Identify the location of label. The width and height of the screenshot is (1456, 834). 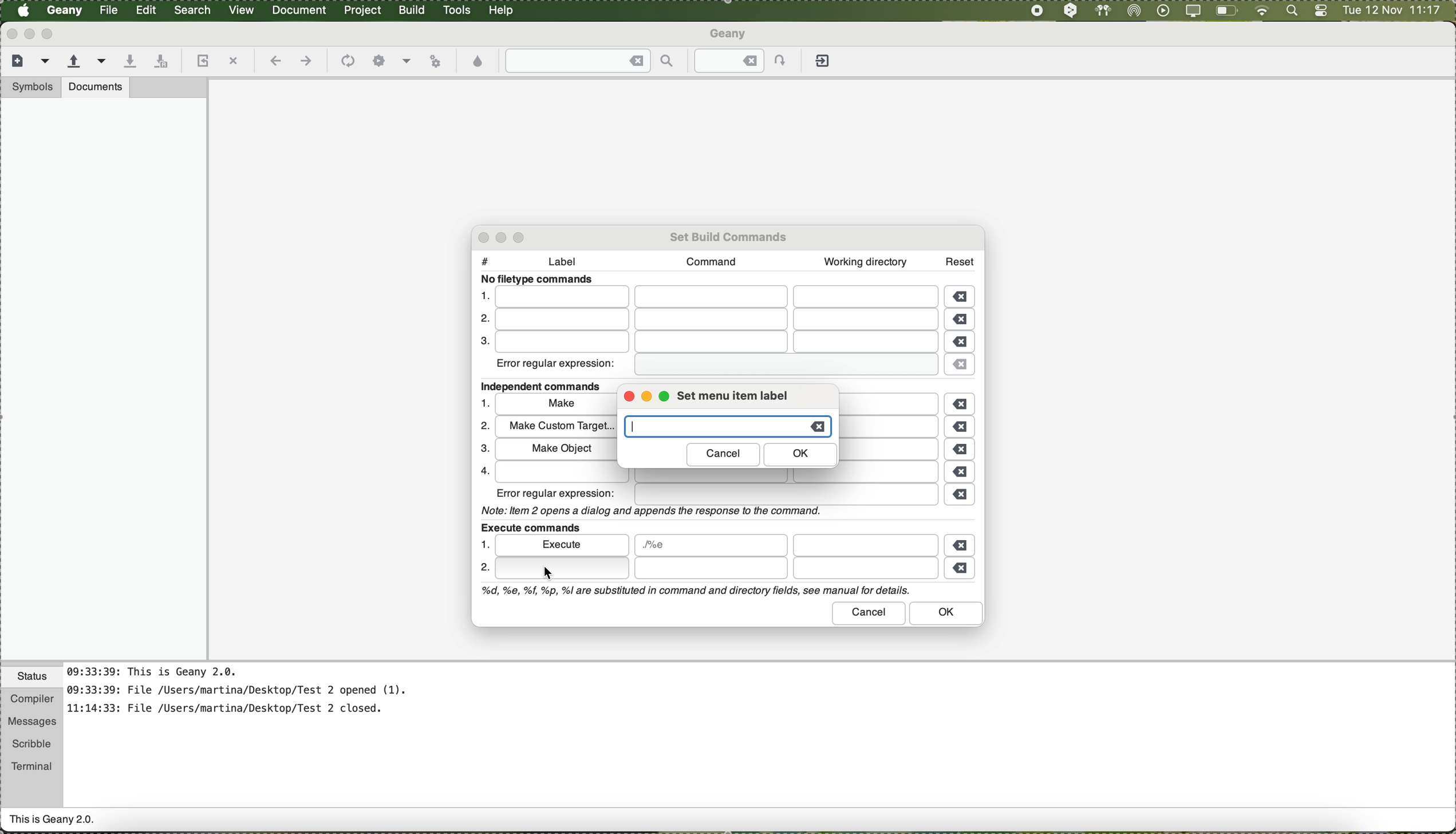
(568, 263).